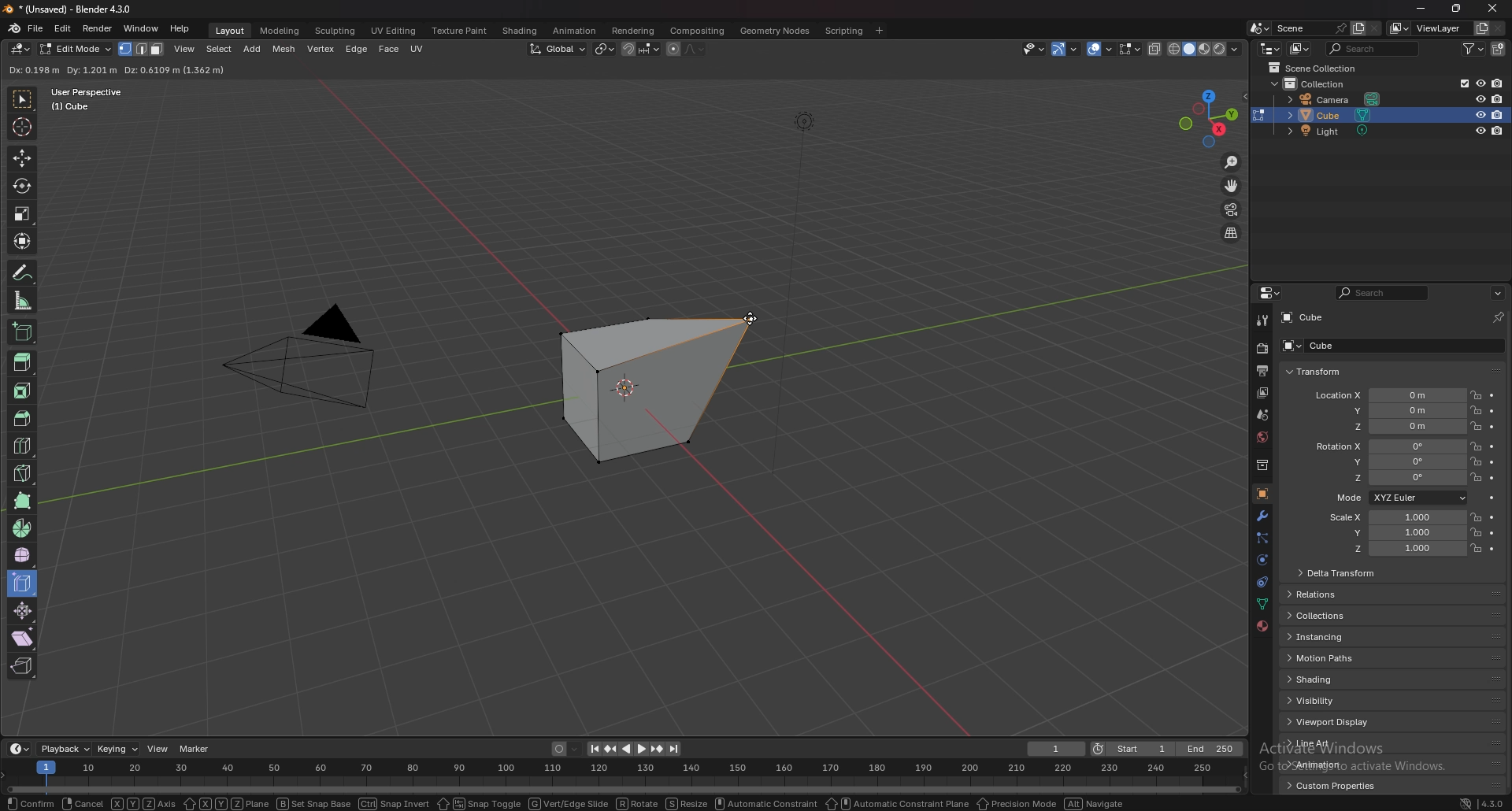 This screenshot has height=811, width=1512. Describe the element at coordinates (1492, 517) in the screenshot. I see `animate property` at that location.